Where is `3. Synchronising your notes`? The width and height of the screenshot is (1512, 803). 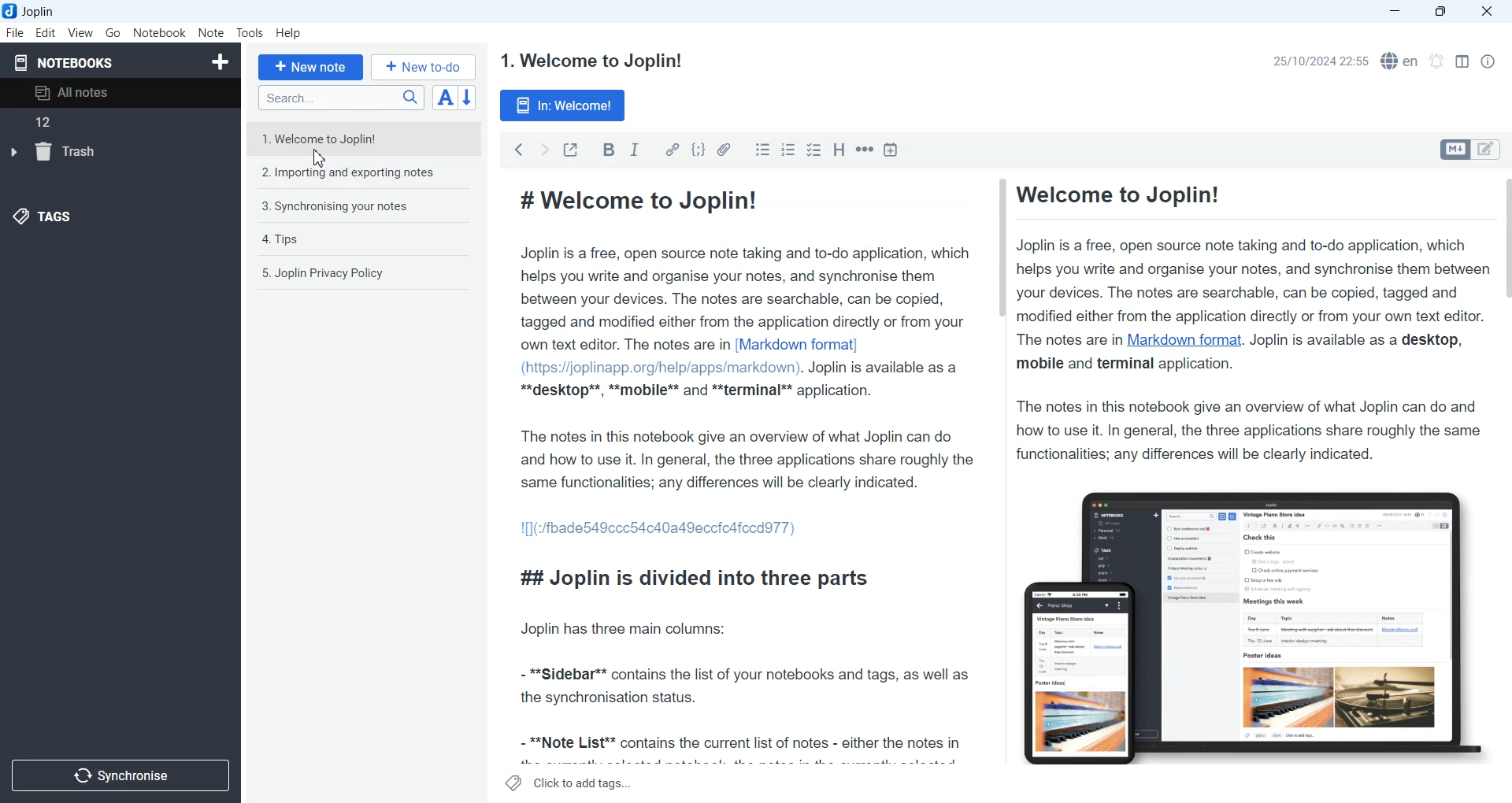
3. Synchronising your notes is located at coordinates (335, 207).